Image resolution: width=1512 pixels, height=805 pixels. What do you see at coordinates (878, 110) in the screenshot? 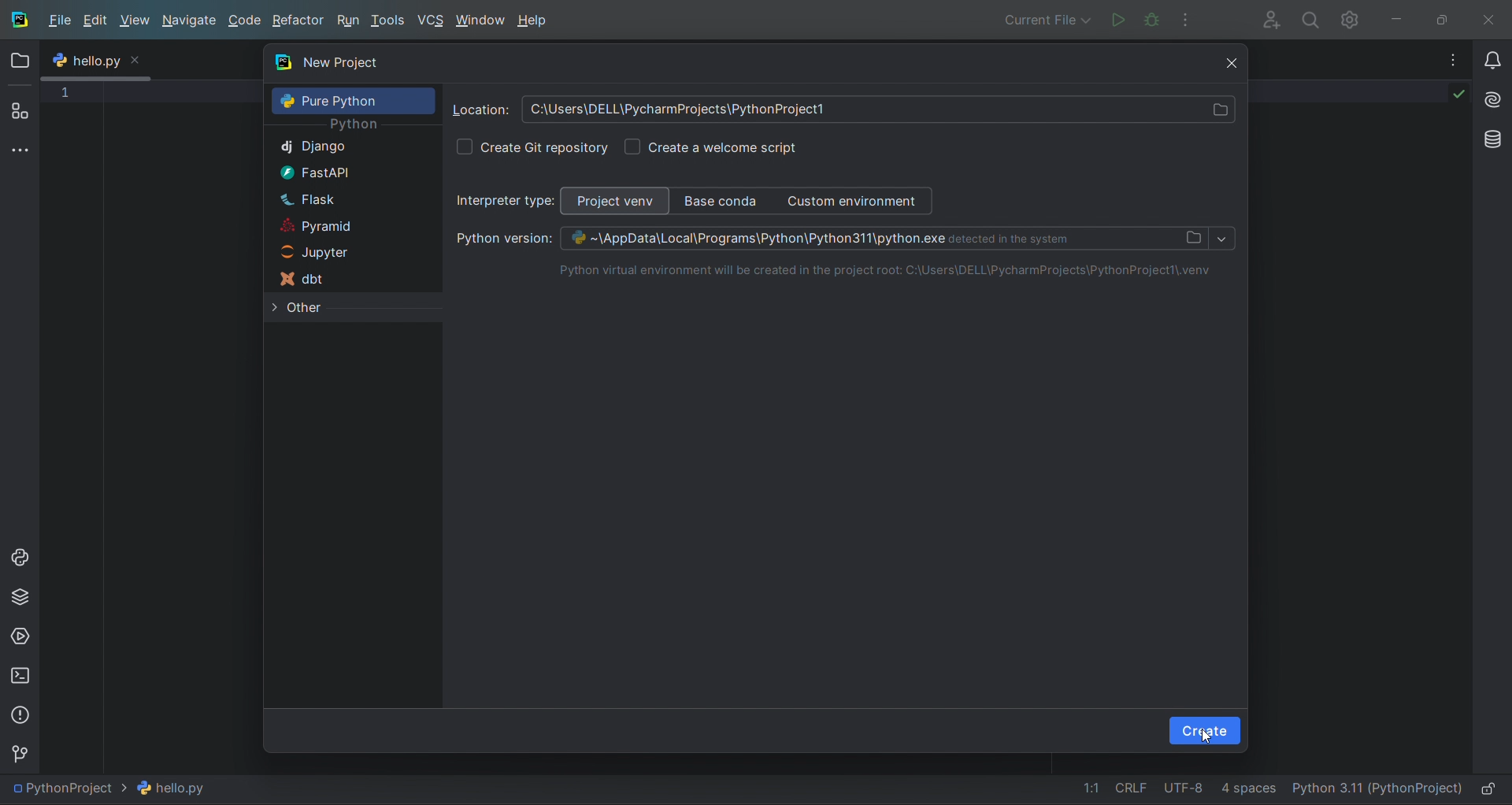
I see `file location` at bounding box center [878, 110].